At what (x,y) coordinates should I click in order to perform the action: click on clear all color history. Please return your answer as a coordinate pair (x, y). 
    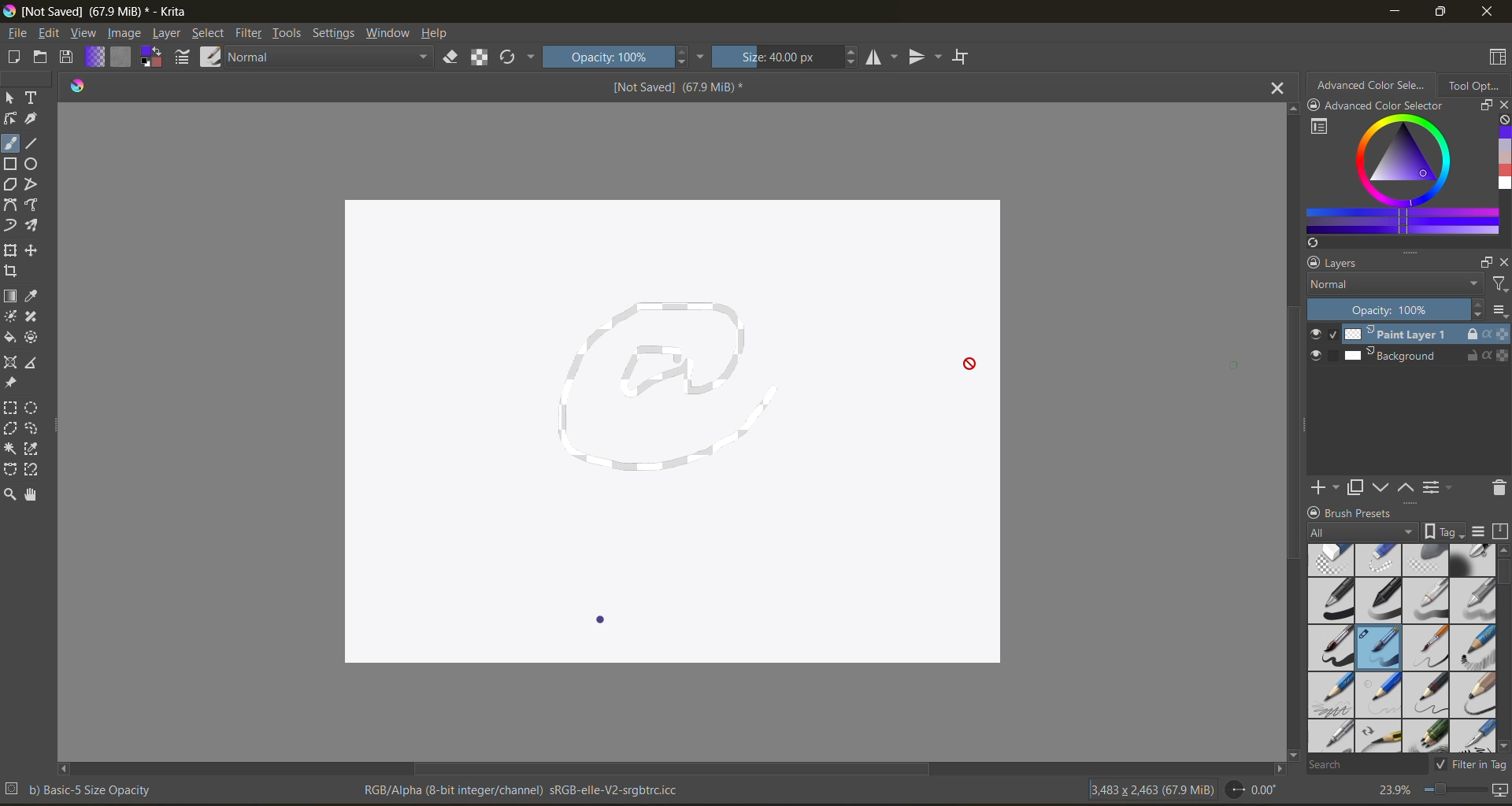
    Looking at the image, I should click on (1503, 120).